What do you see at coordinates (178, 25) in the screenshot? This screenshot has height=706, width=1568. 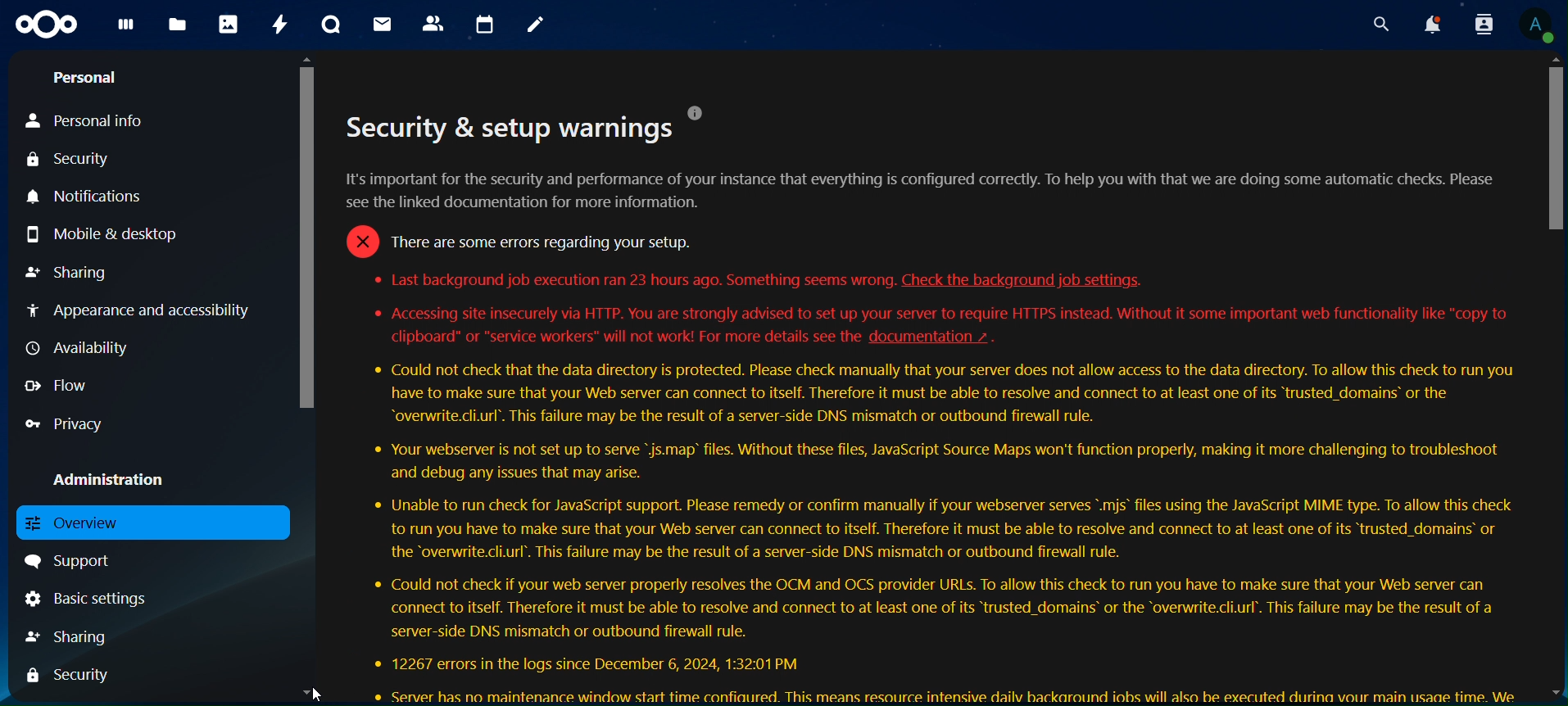 I see `files` at bounding box center [178, 25].